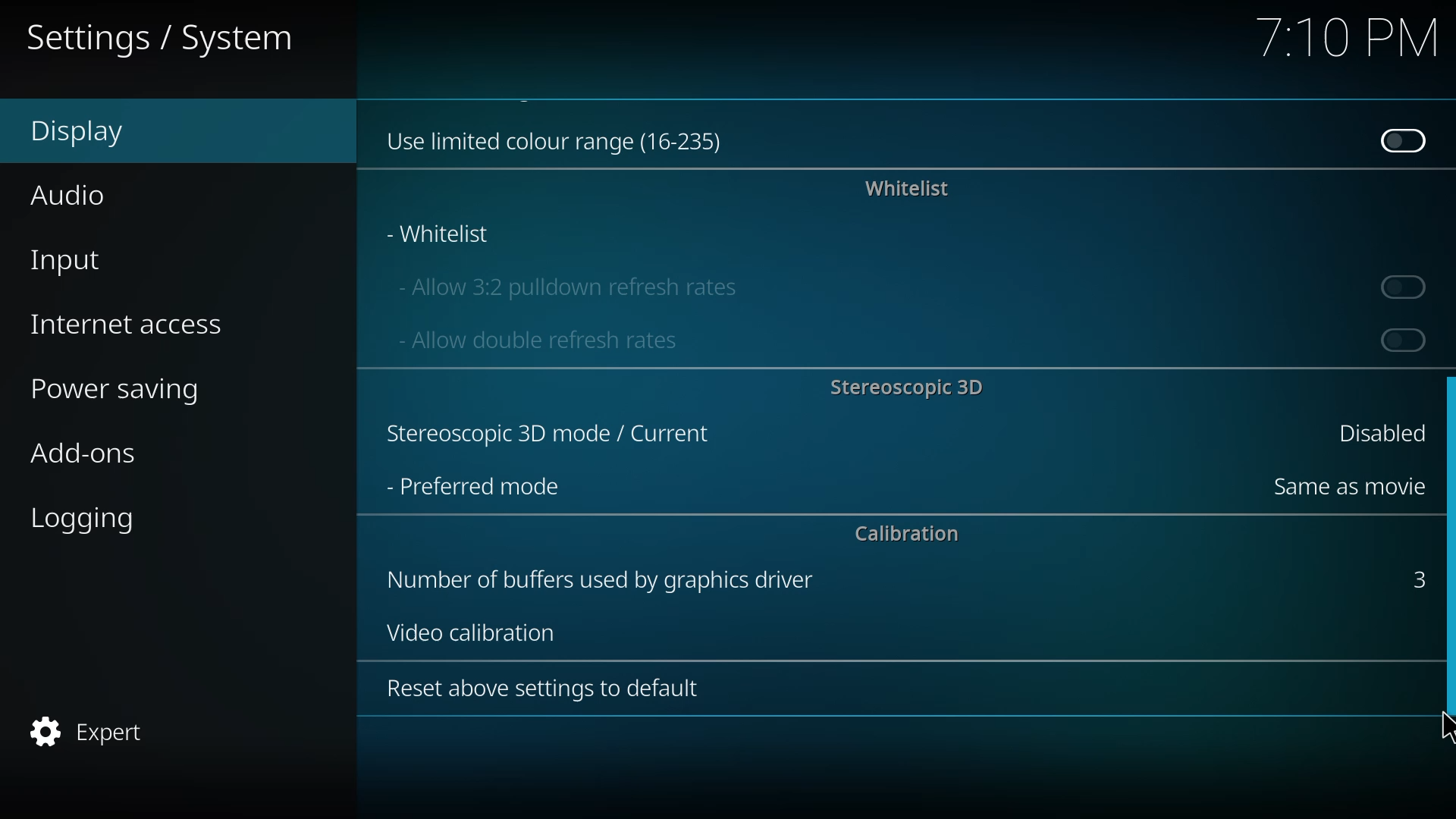  I want to click on disabled, so click(1373, 431).